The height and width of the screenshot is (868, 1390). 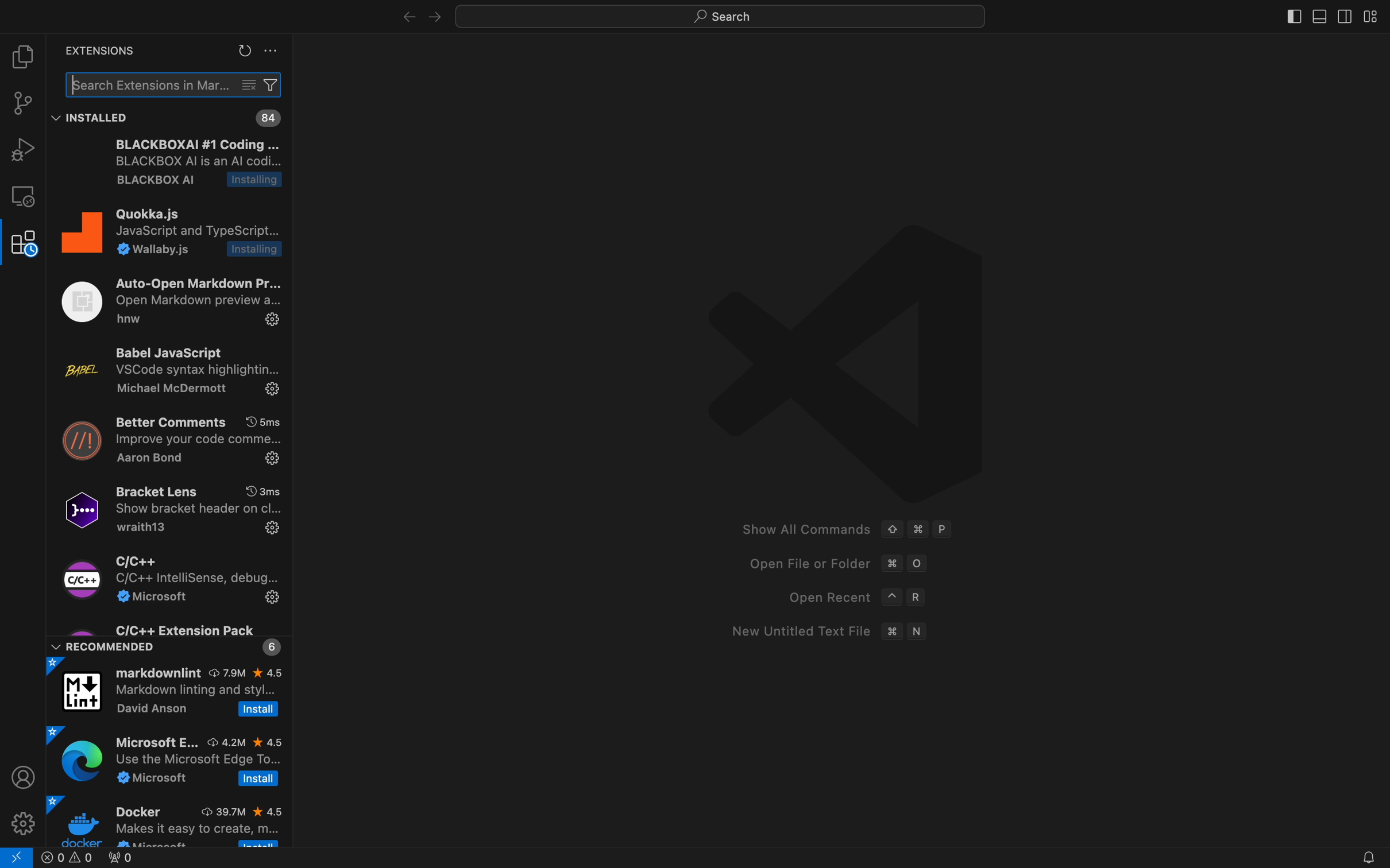 What do you see at coordinates (711, 18) in the screenshot?
I see `search` at bounding box center [711, 18].